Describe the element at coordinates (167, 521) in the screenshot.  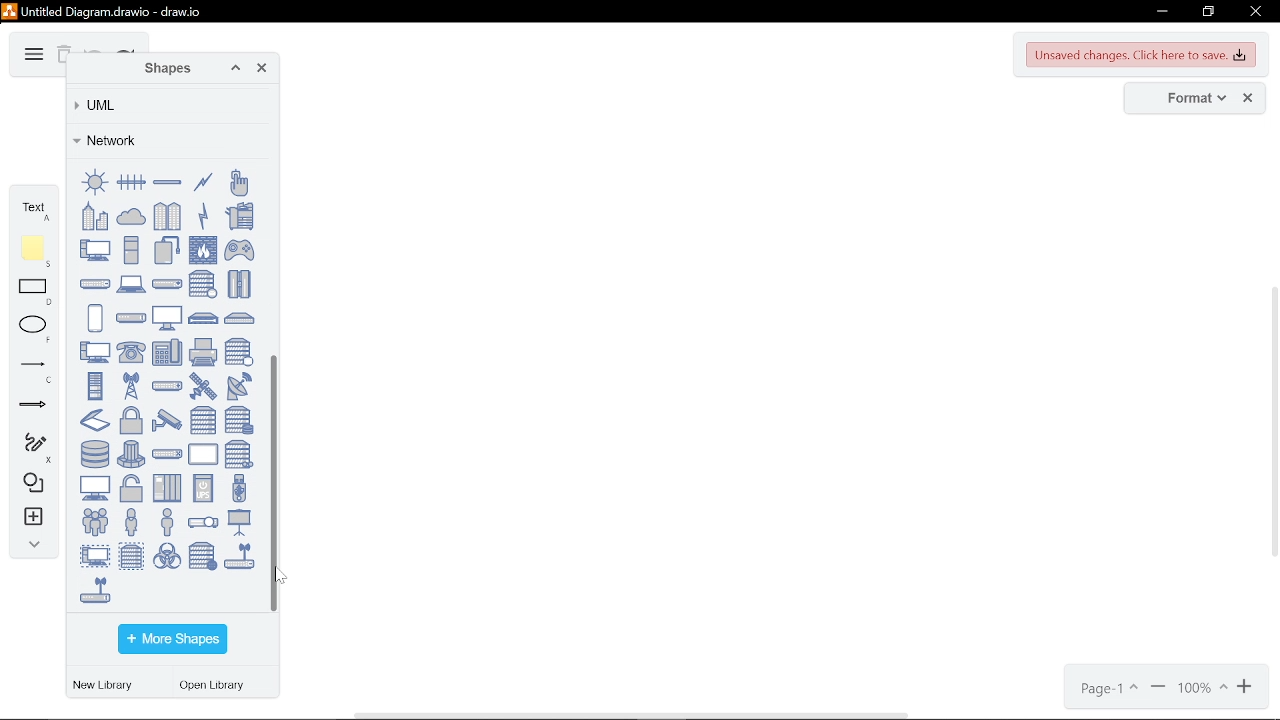
I see `user male` at that location.